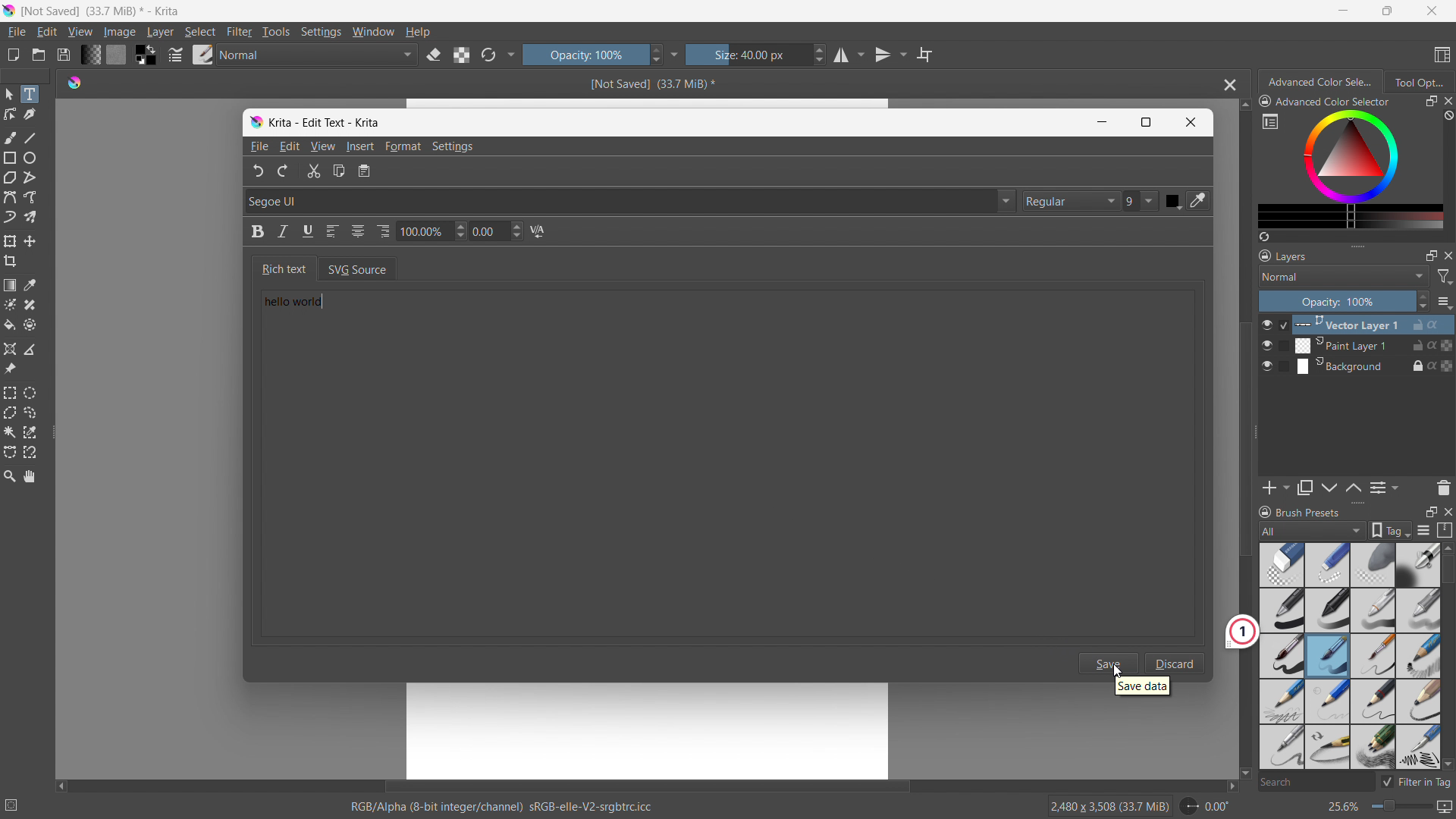 The image size is (1456, 819). I want to click on new, so click(13, 55).